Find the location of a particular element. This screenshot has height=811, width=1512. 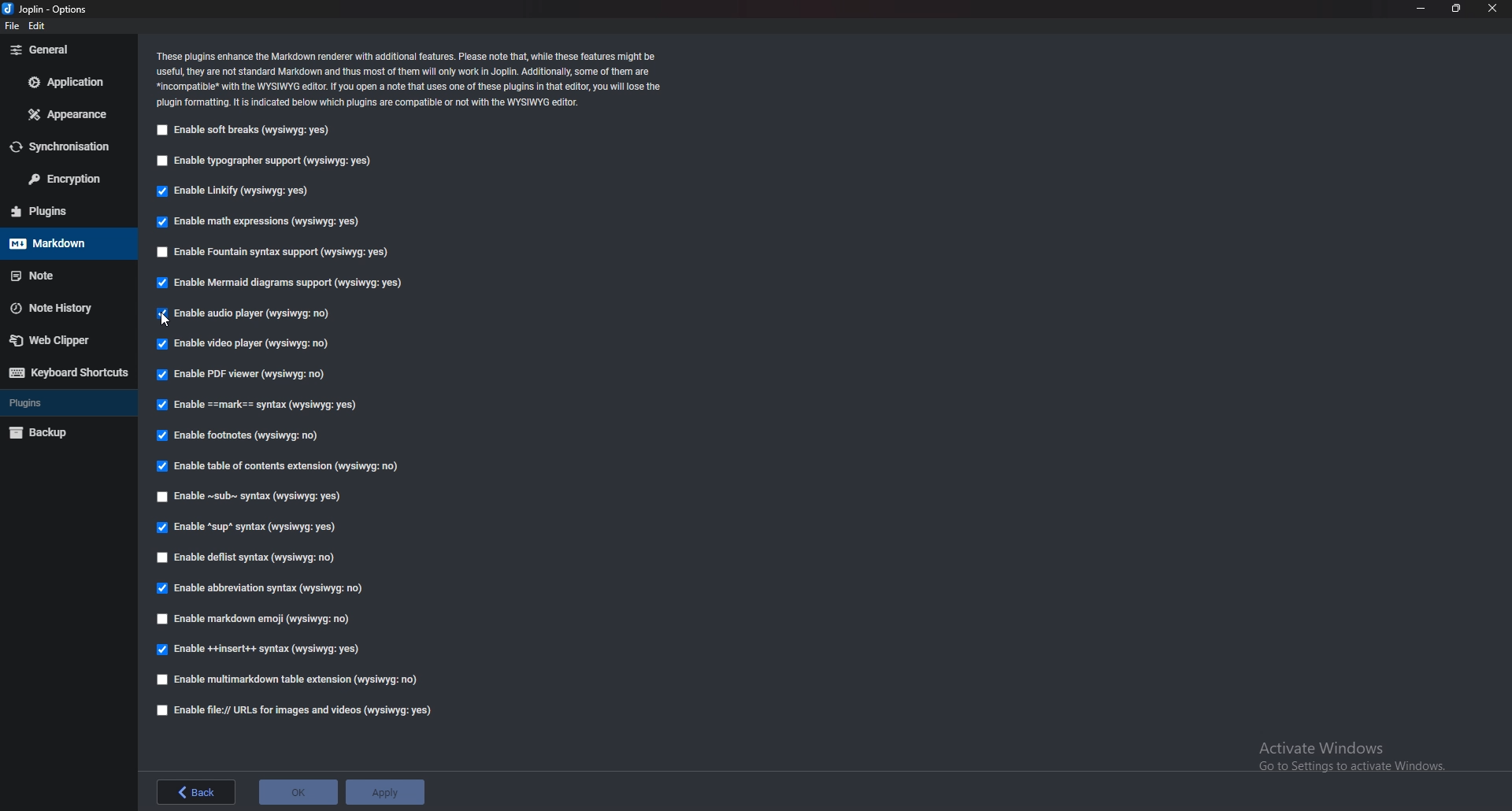

Appearance is located at coordinates (69, 116).